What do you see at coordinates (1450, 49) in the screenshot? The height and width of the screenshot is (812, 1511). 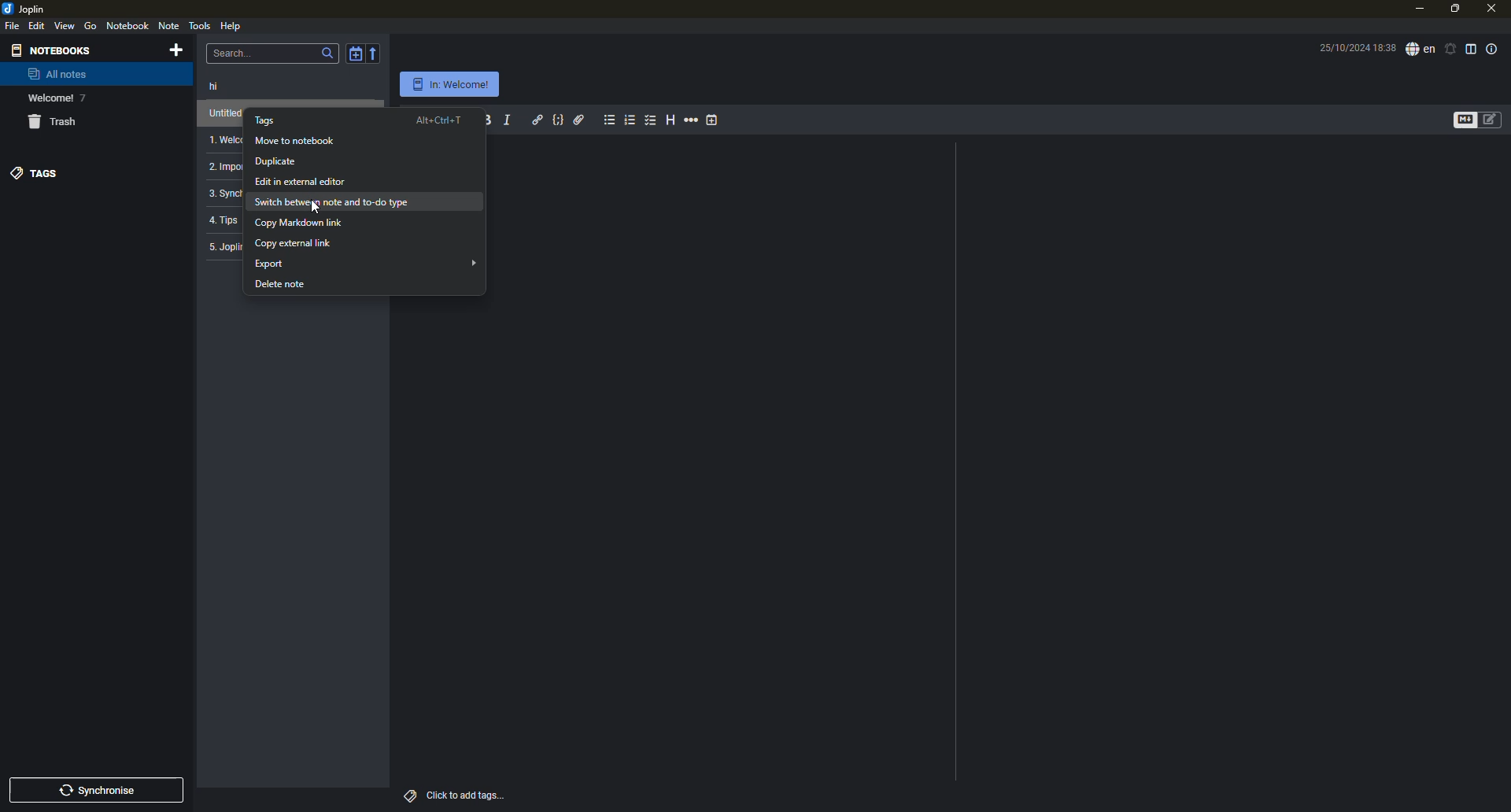 I see `set alarm` at bounding box center [1450, 49].